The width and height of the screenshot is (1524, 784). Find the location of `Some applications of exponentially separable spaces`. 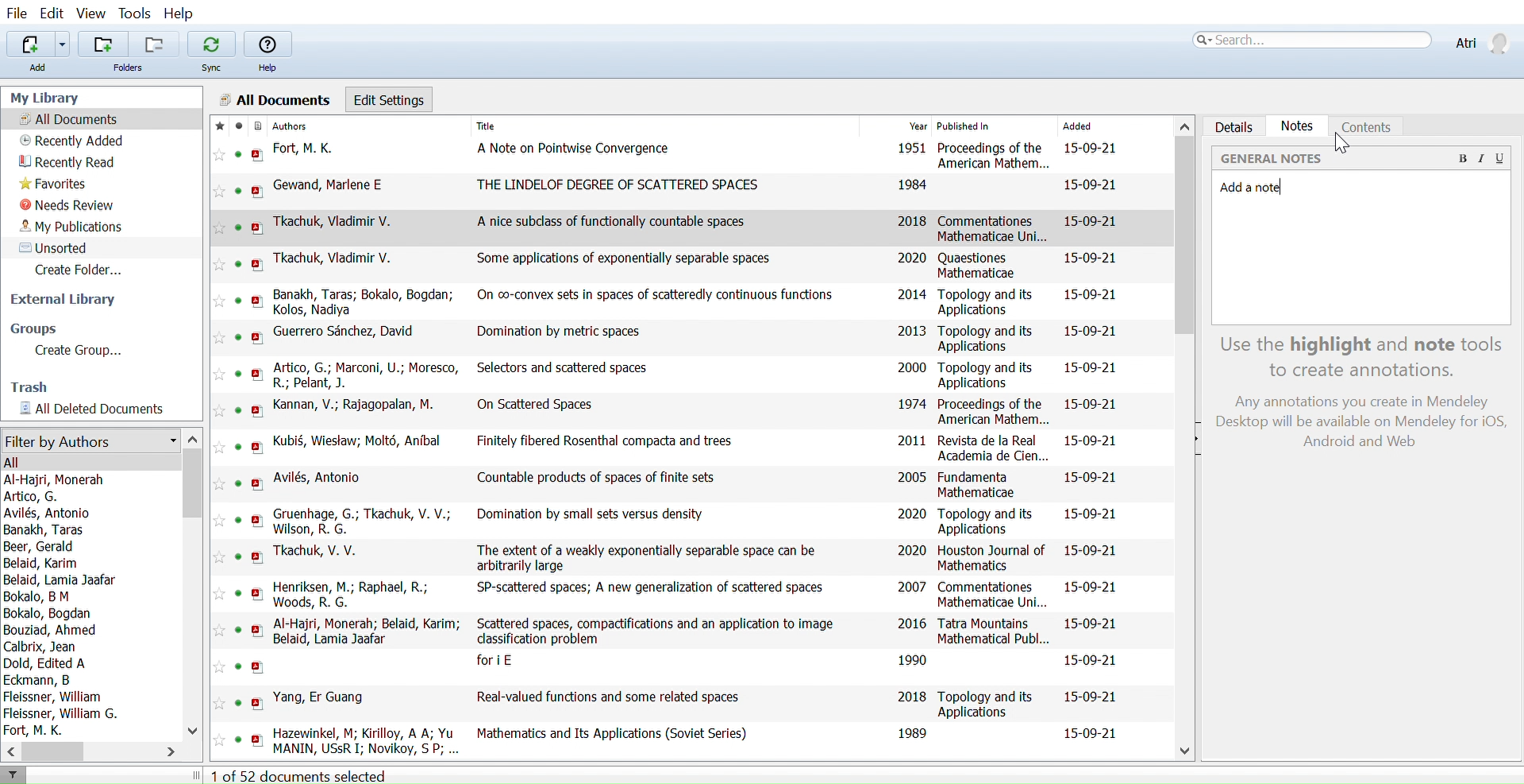

Some applications of exponentially separable spaces is located at coordinates (628, 259).